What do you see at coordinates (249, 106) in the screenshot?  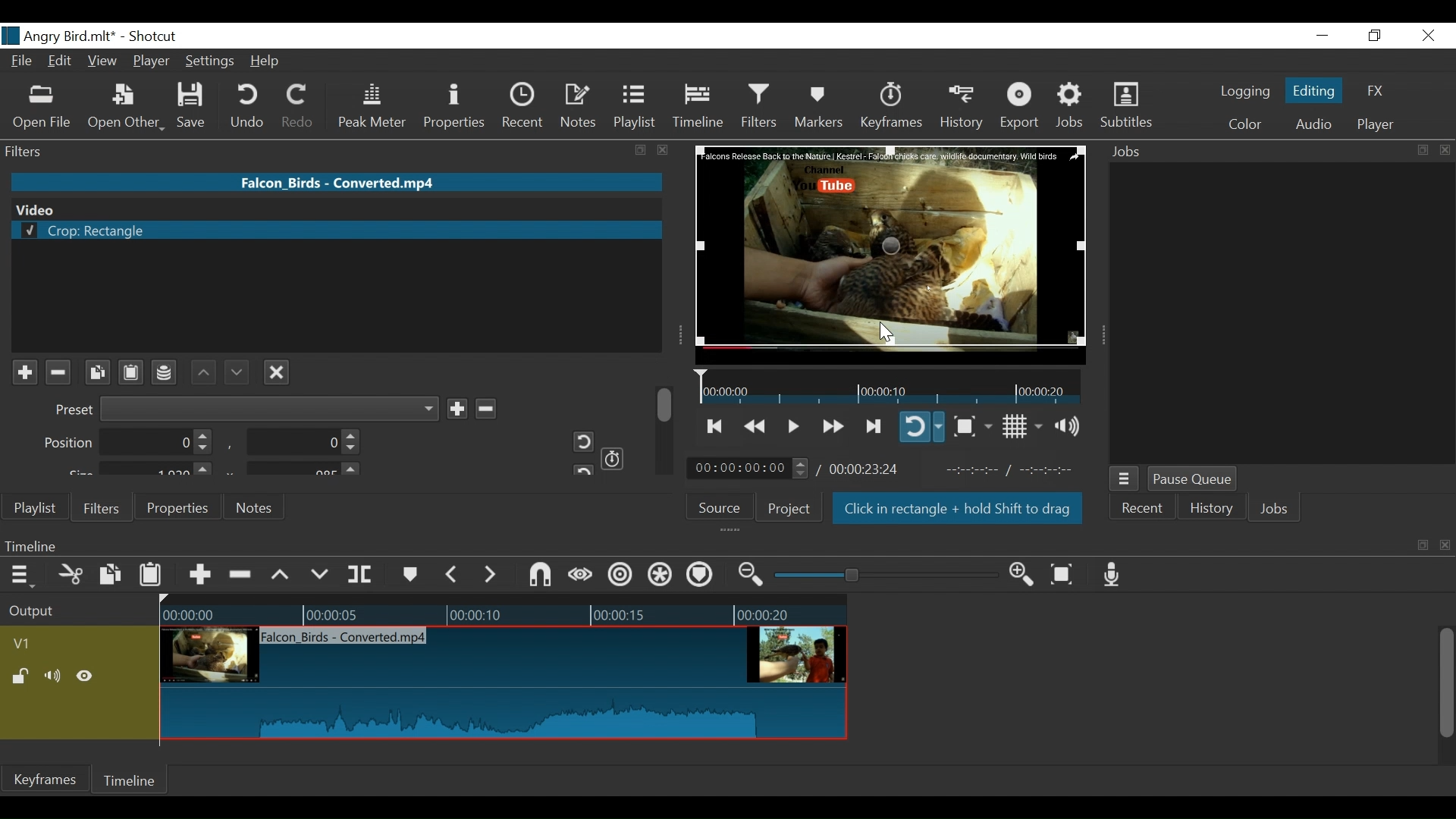 I see `Undo` at bounding box center [249, 106].